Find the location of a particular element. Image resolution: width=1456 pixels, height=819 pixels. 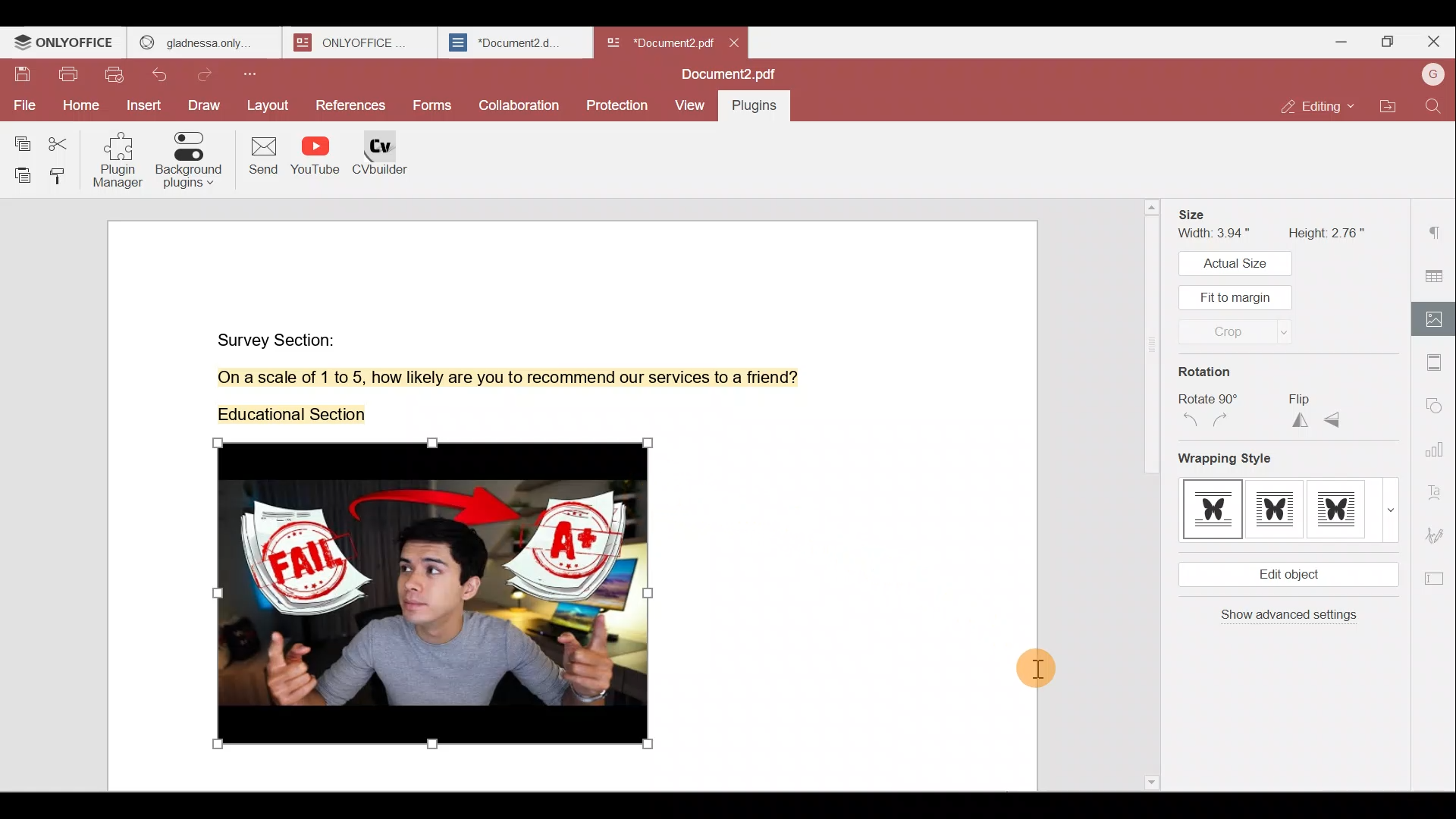

View is located at coordinates (690, 106).